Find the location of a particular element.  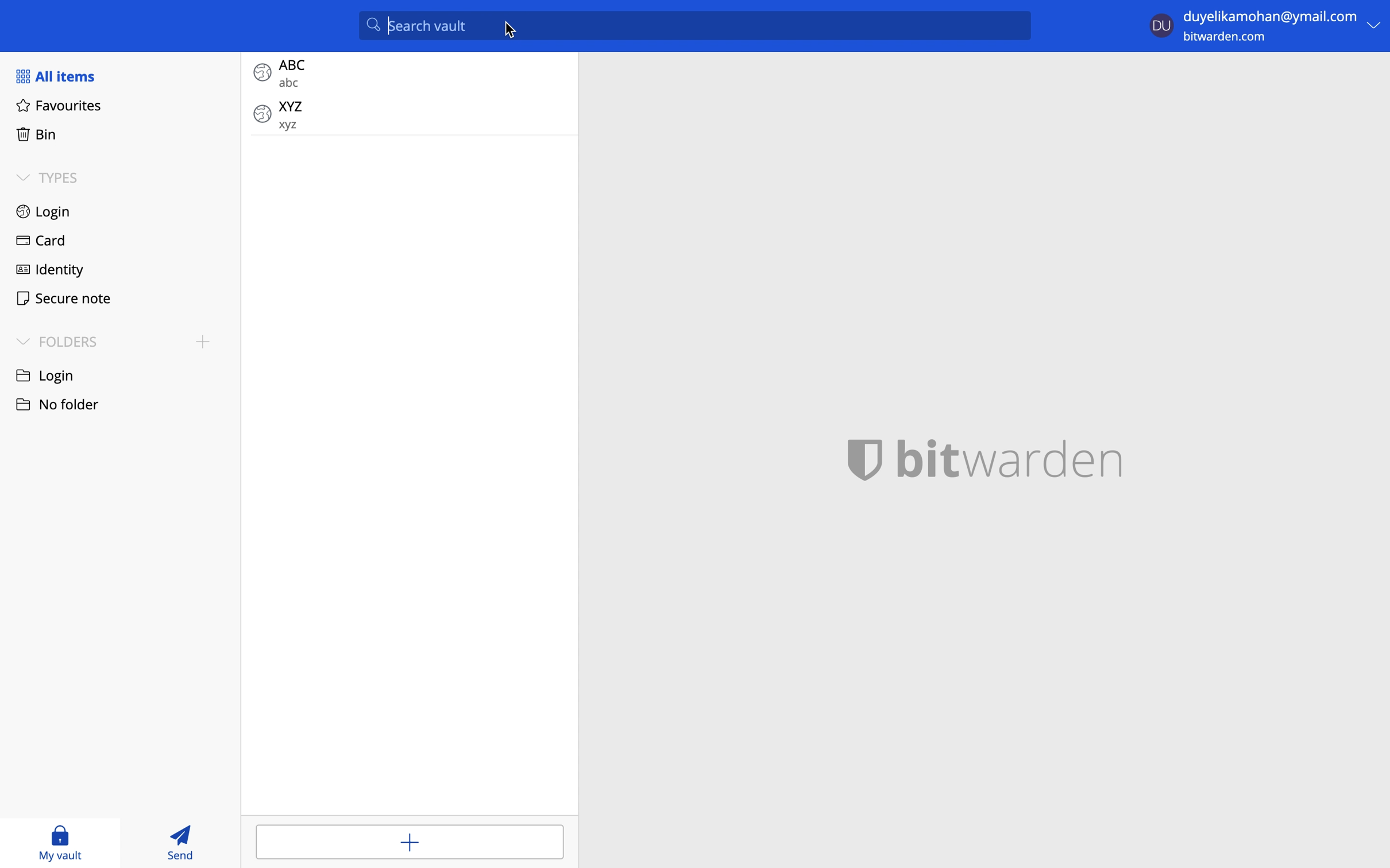

user profile is located at coordinates (1160, 24).